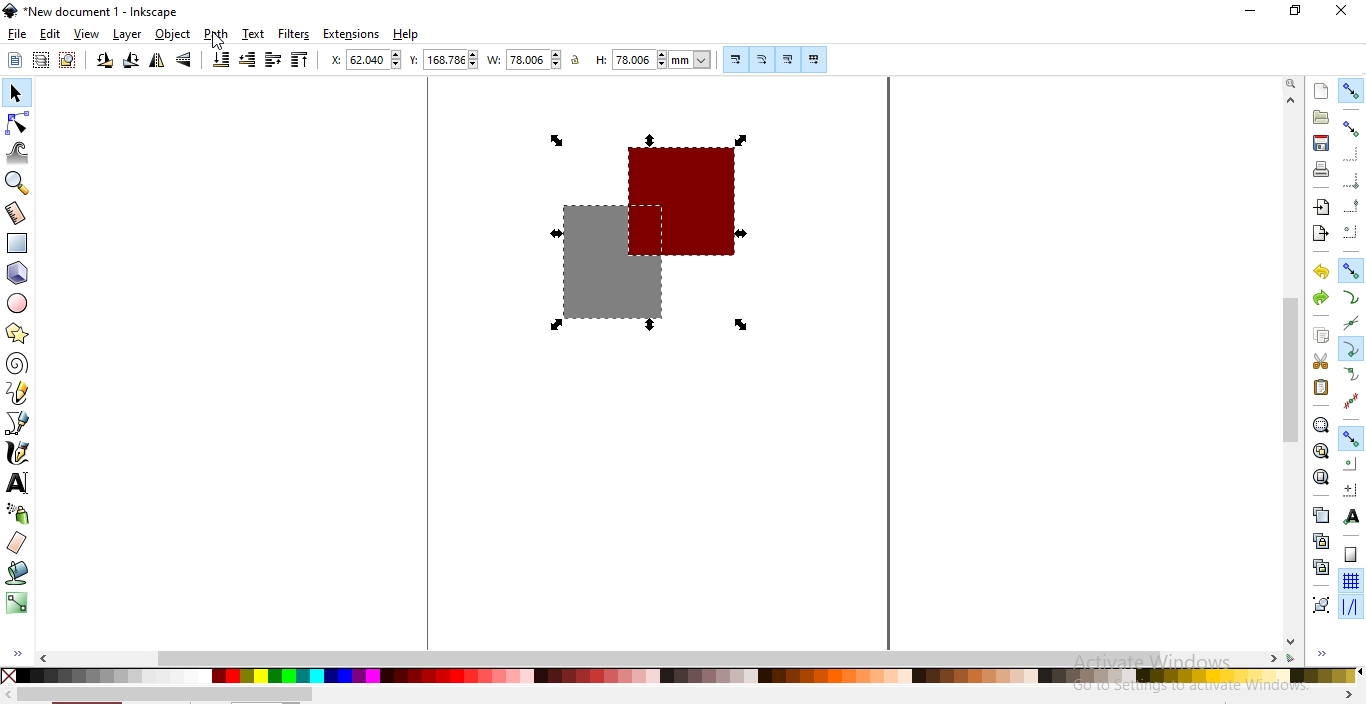 This screenshot has width=1366, height=704. What do you see at coordinates (368, 62) in the screenshot?
I see `horizontal coordinate of selection` at bounding box center [368, 62].